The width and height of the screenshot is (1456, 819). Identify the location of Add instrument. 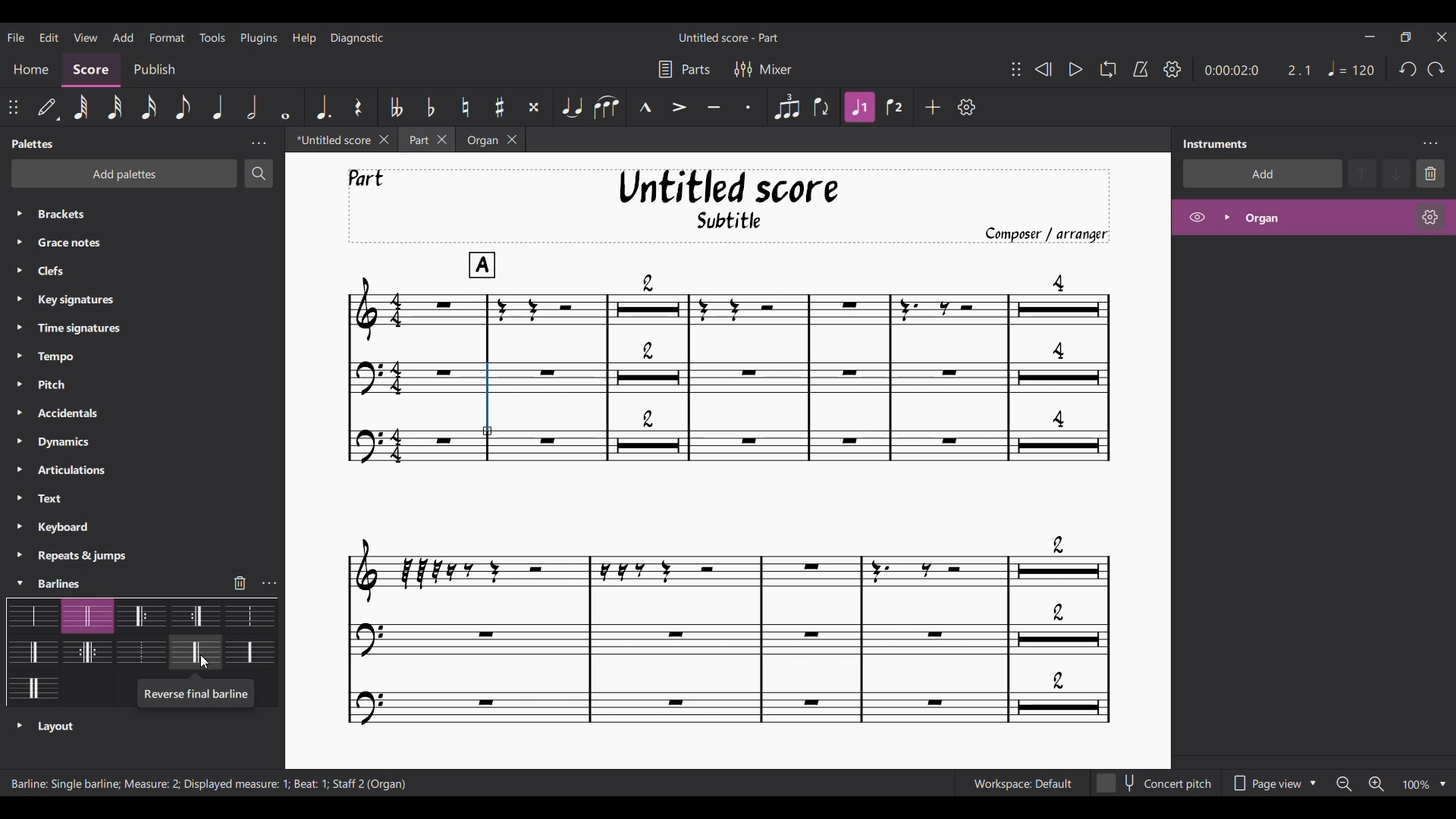
(1262, 173).